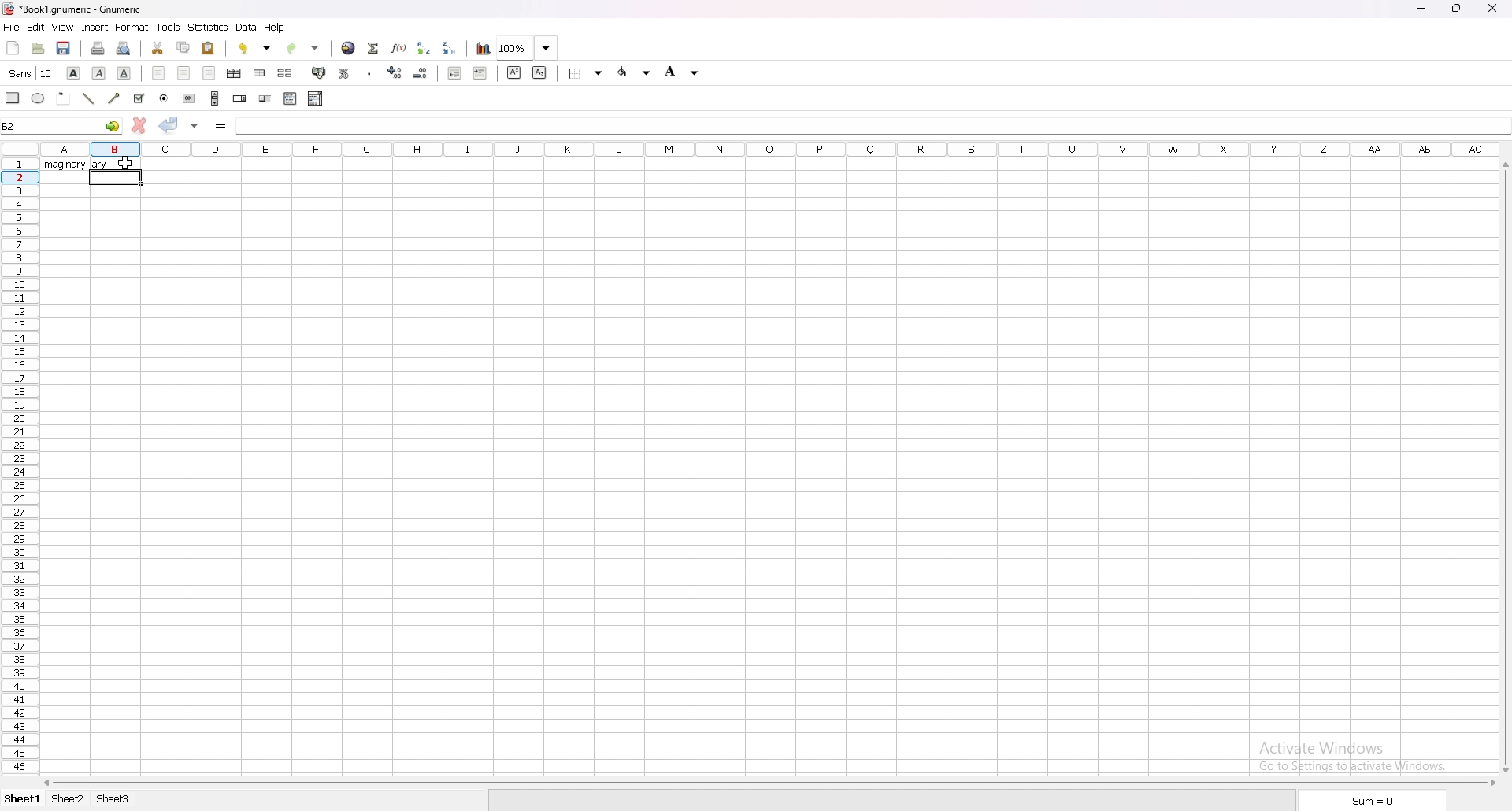  What do you see at coordinates (527, 47) in the screenshot?
I see `zoom` at bounding box center [527, 47].